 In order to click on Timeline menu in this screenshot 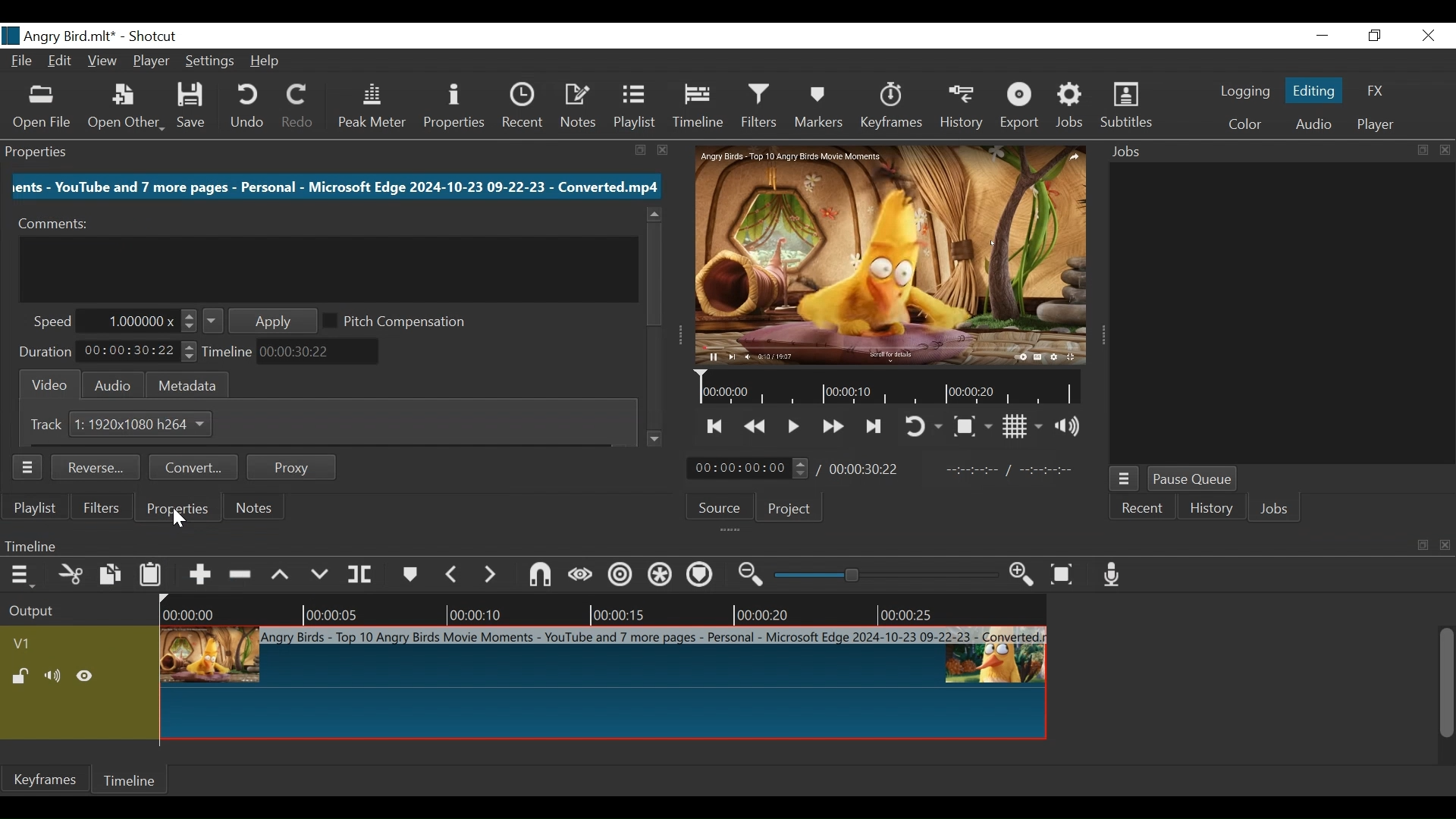, I will do `click(724, 545)`.